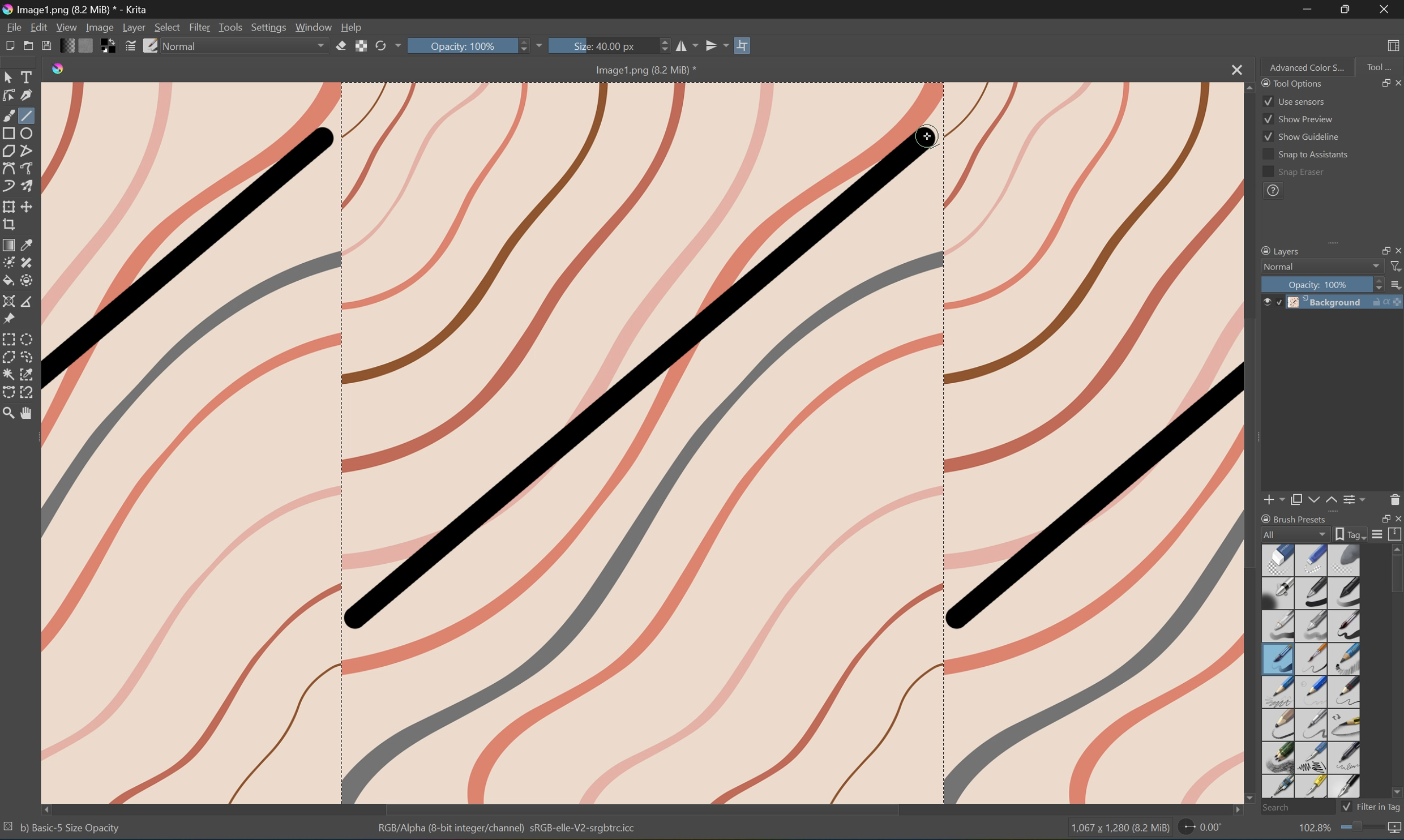 The image size is (1404, 840). Describe the element at coordinates (1232, 811) in the screenshot. I see `Scroll Right` at that location.